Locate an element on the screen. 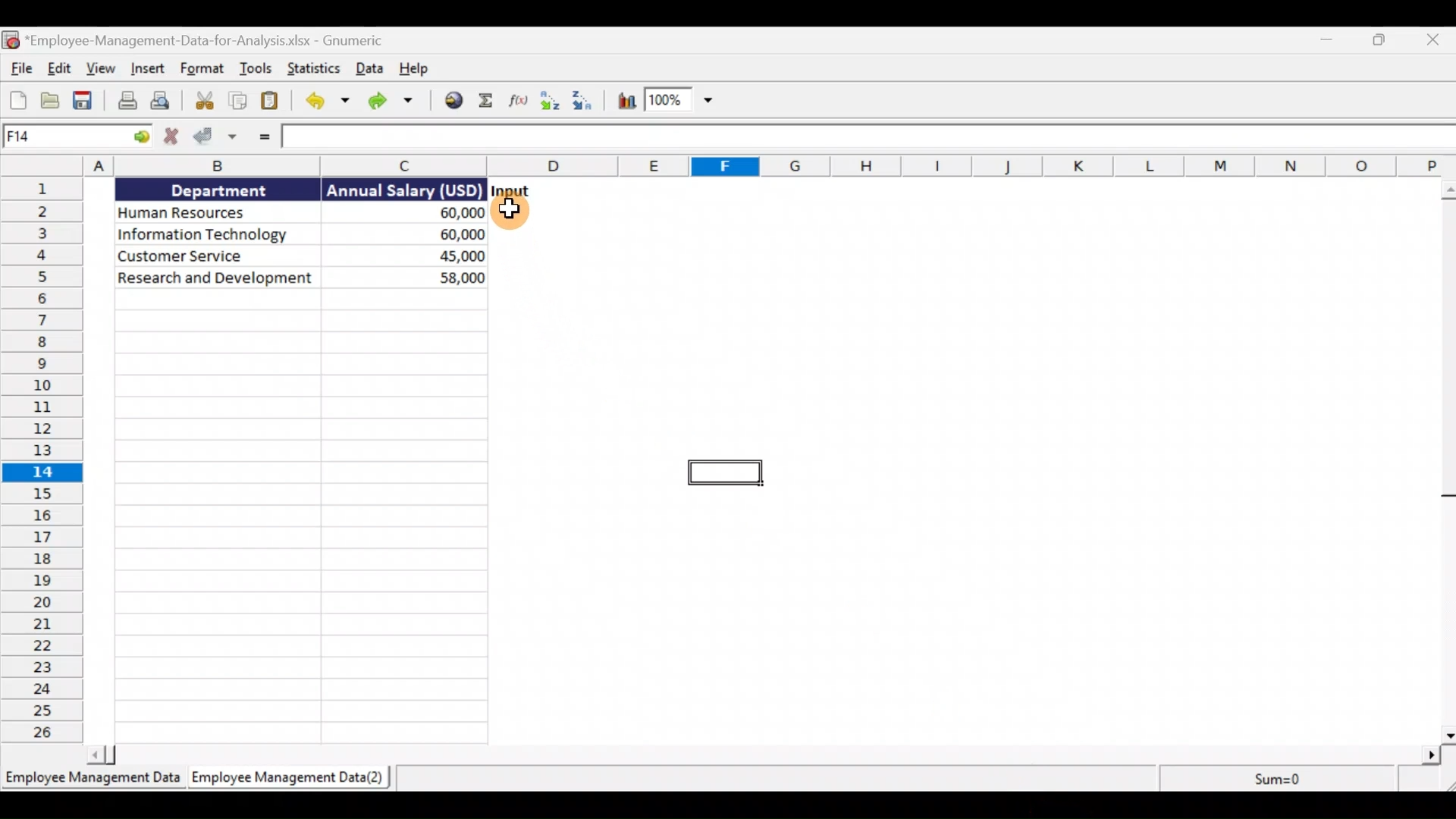 Image resolution: width=1456 pixels, height=819 pixels. Data is located at coordinates (295, 231).